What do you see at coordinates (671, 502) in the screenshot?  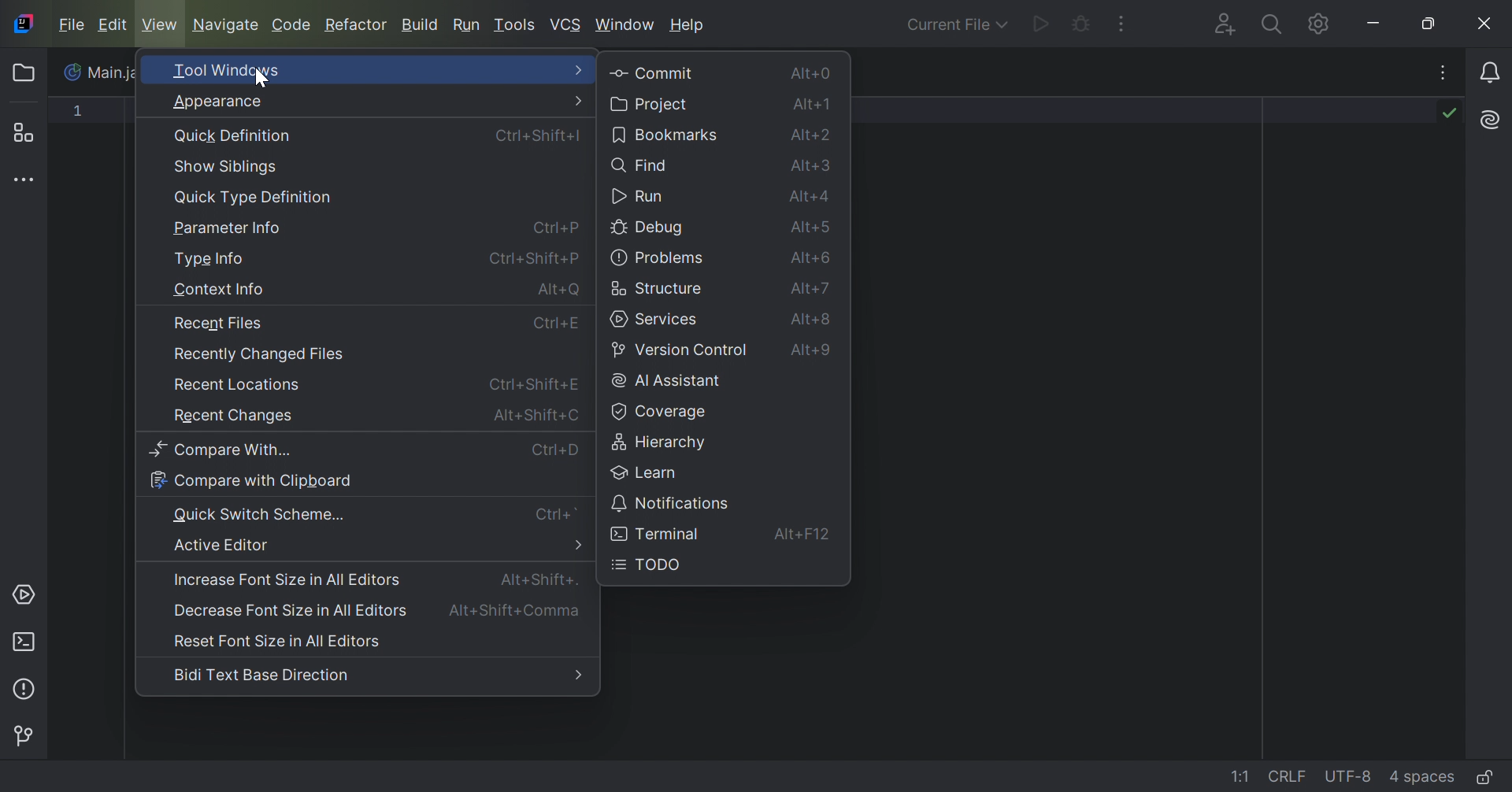 I see `Notifications` at bounding box center [671, 502].